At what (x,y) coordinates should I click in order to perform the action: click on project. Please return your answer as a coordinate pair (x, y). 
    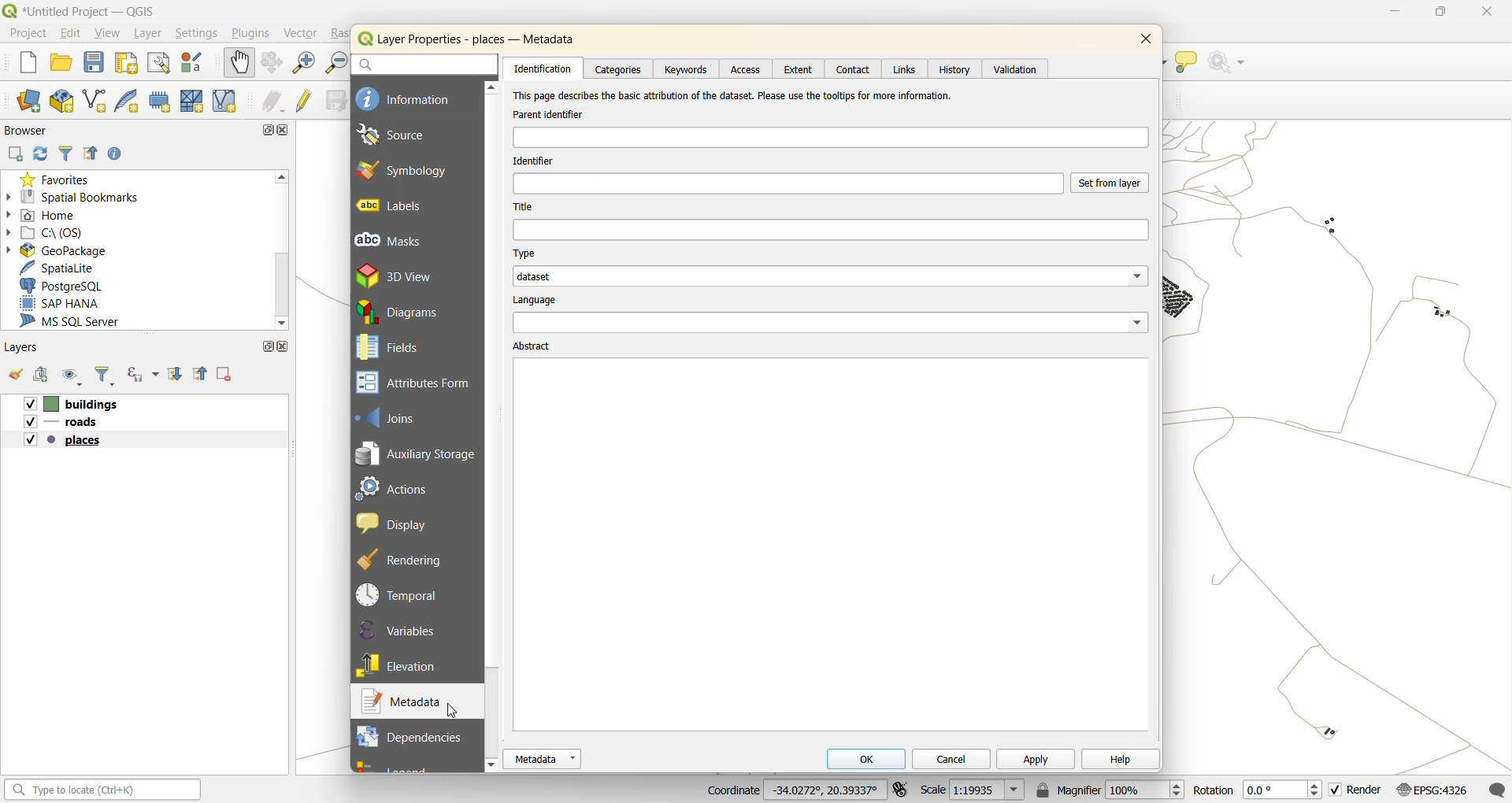
    Looking at the image, I should click on (28, 32).